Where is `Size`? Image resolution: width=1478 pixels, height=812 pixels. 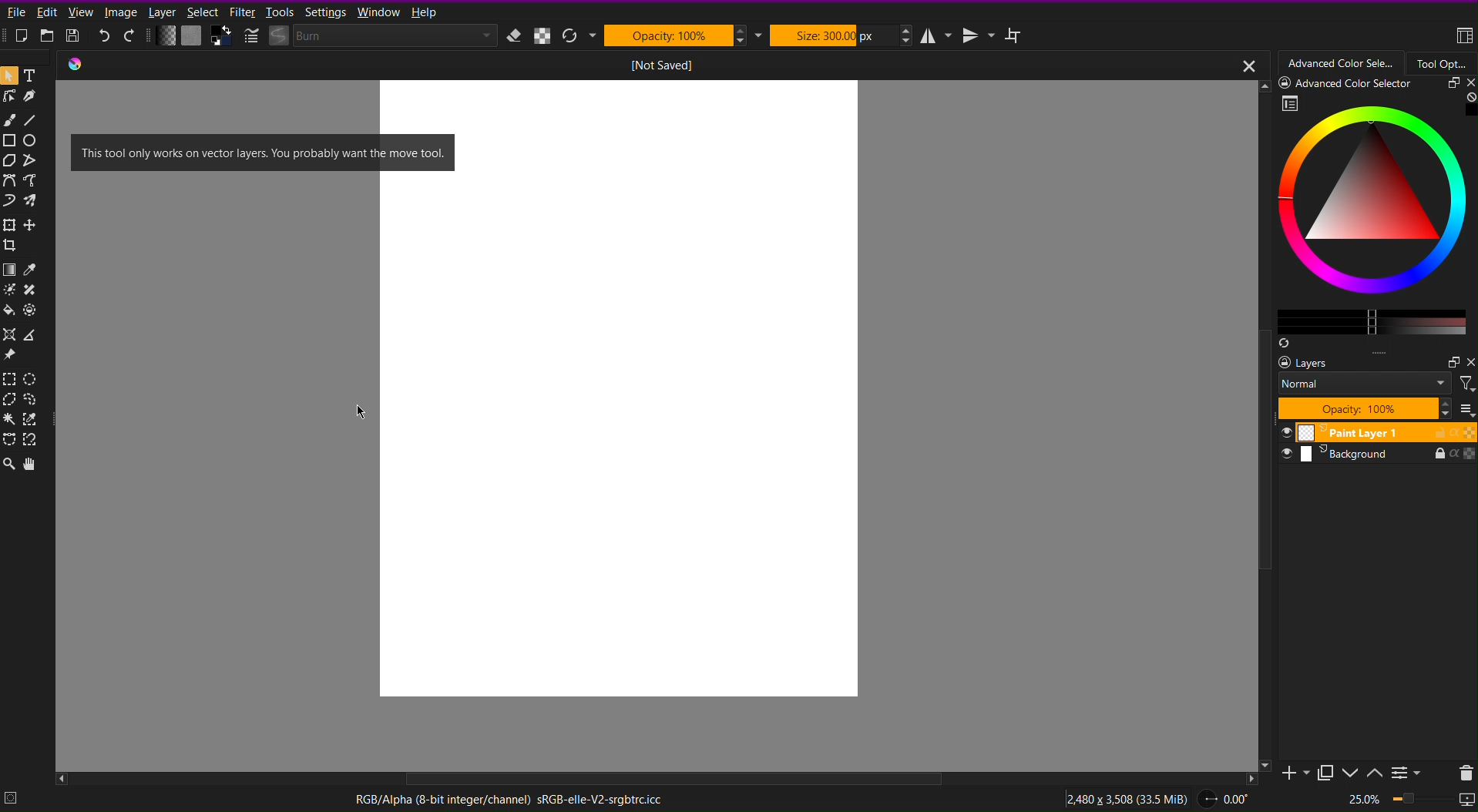 Size is located at coordinates (834, 34).